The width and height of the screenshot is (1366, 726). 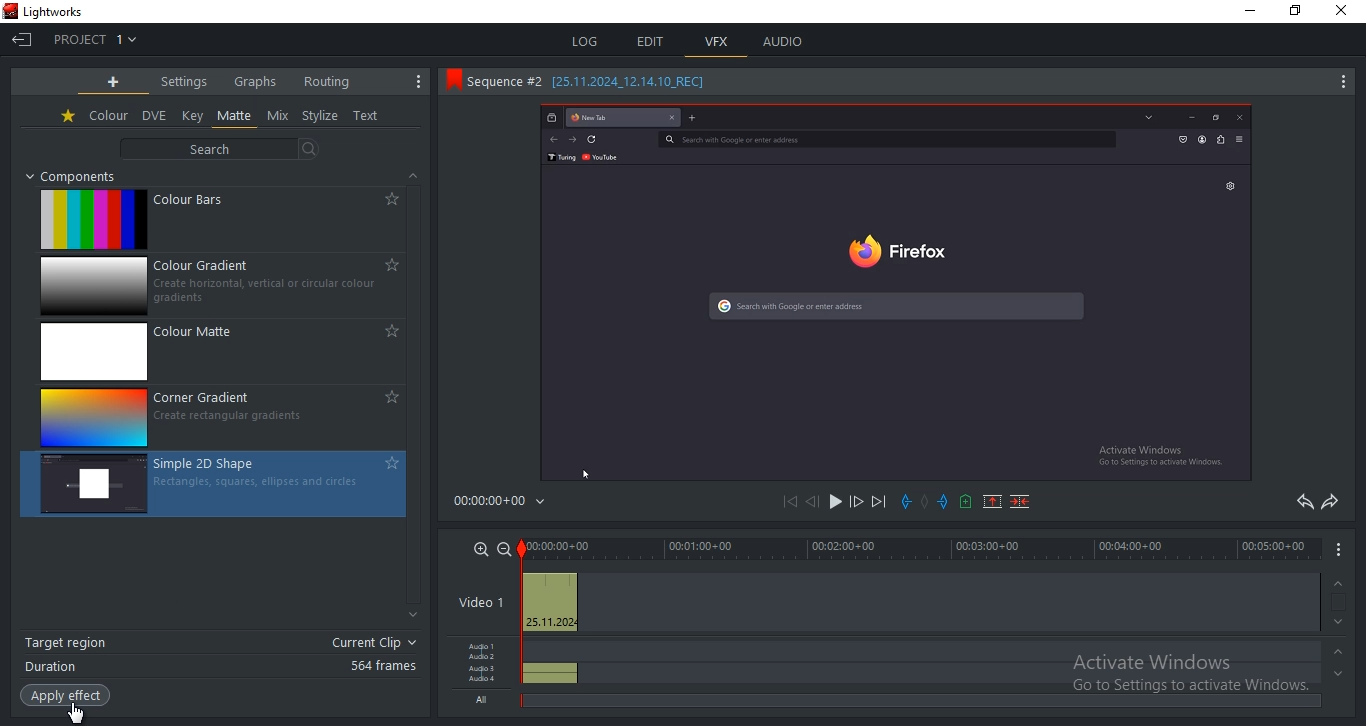 What do you see at coordinates (420, 81) in the screenshot?
I see `show setting menu` at bounding box center [420, 81].